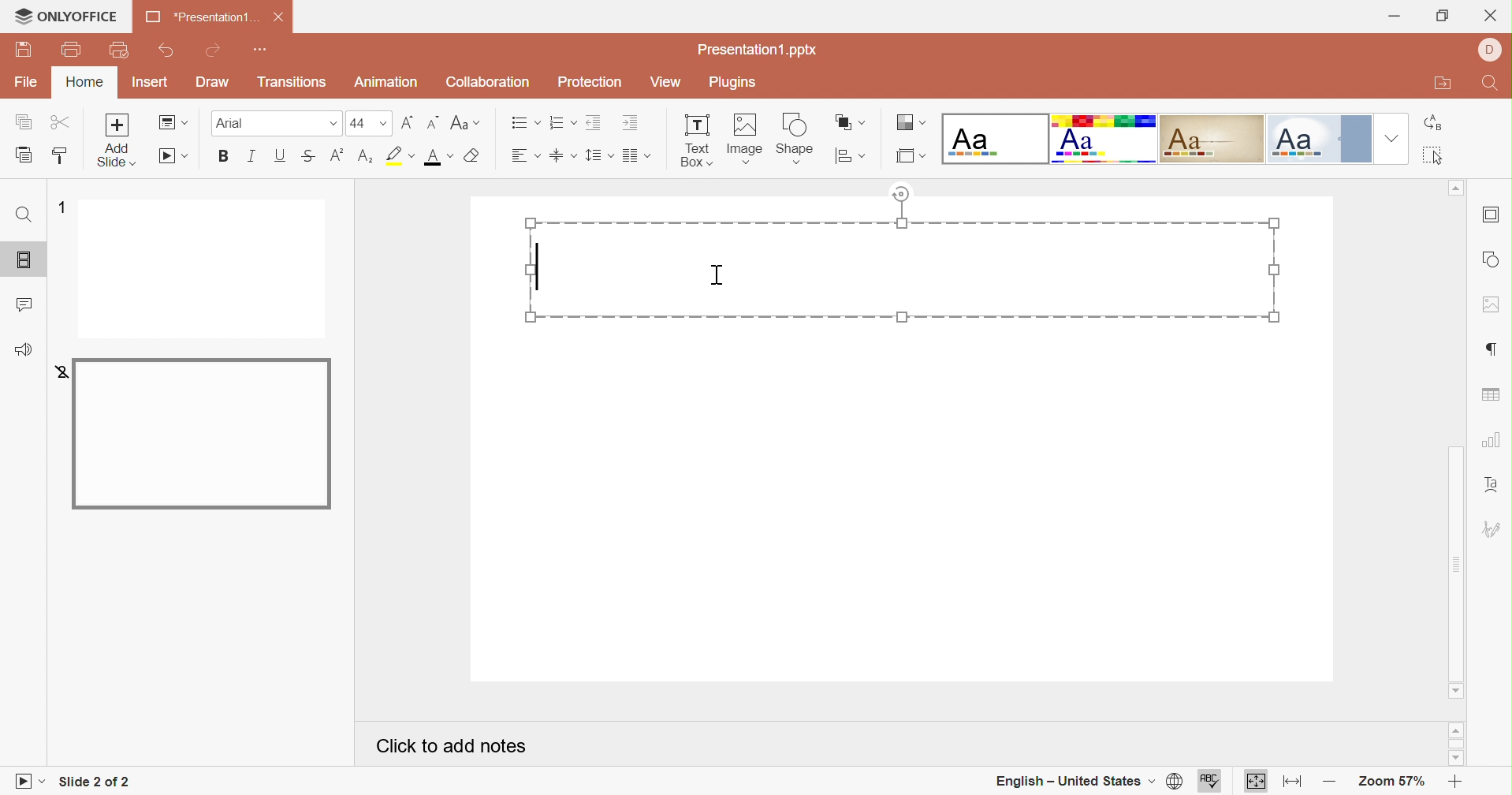 Image resolution: width=1512 pixels, height=795 pixels. I want to click on Slide 2 of 2, so click(98, 781).